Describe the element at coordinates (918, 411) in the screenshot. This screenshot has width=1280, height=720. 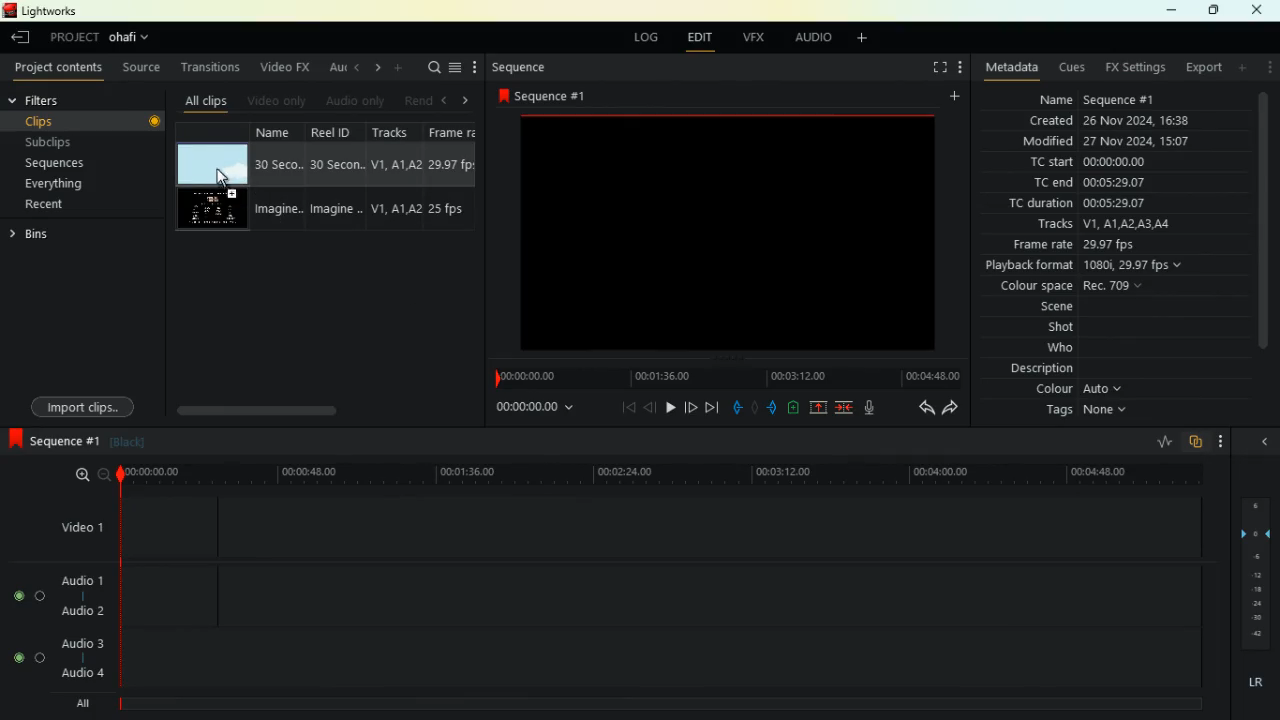
I see `back` at that location.